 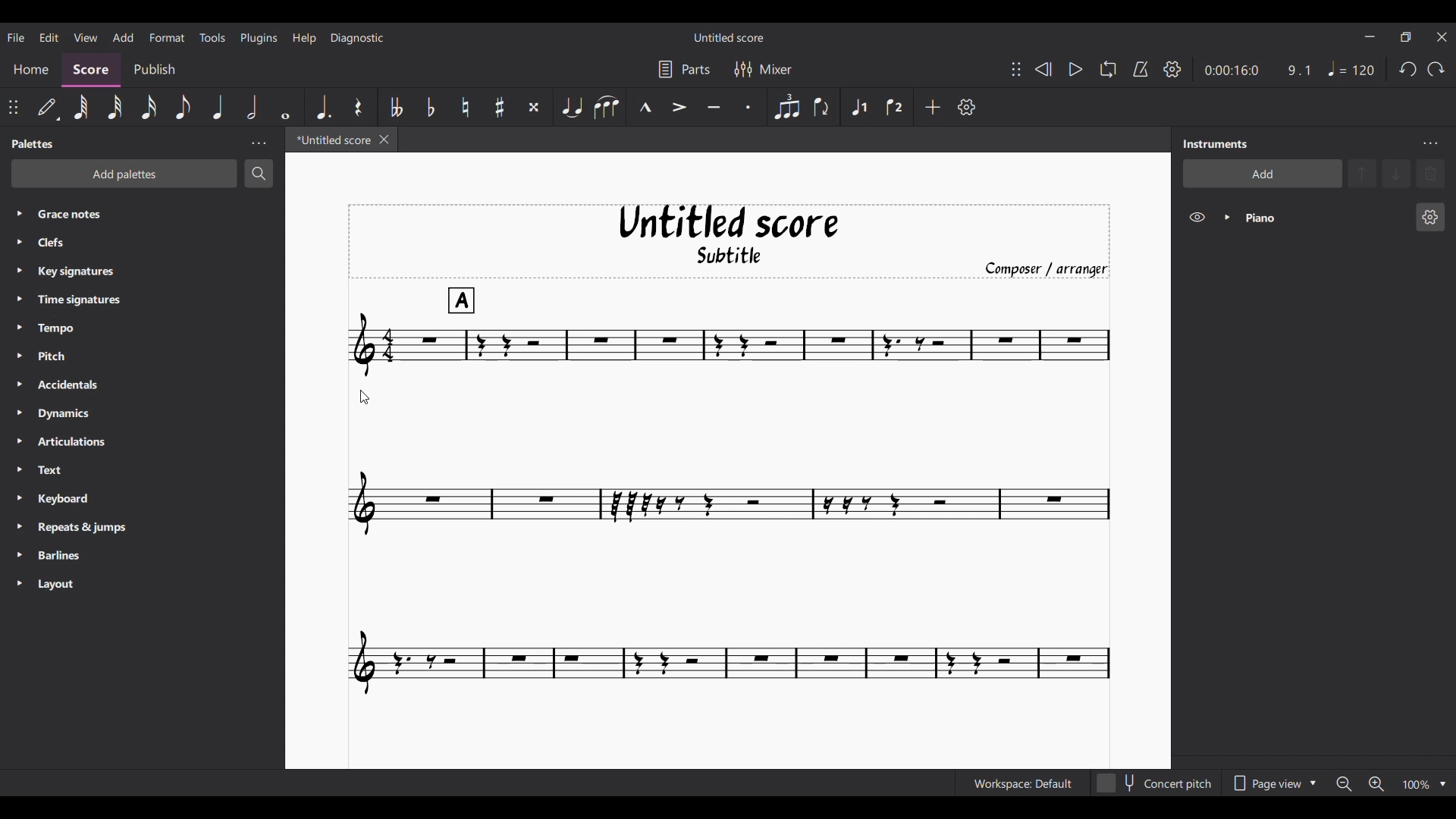 I want to click on Toggle natural, so click(x=465, y=107).